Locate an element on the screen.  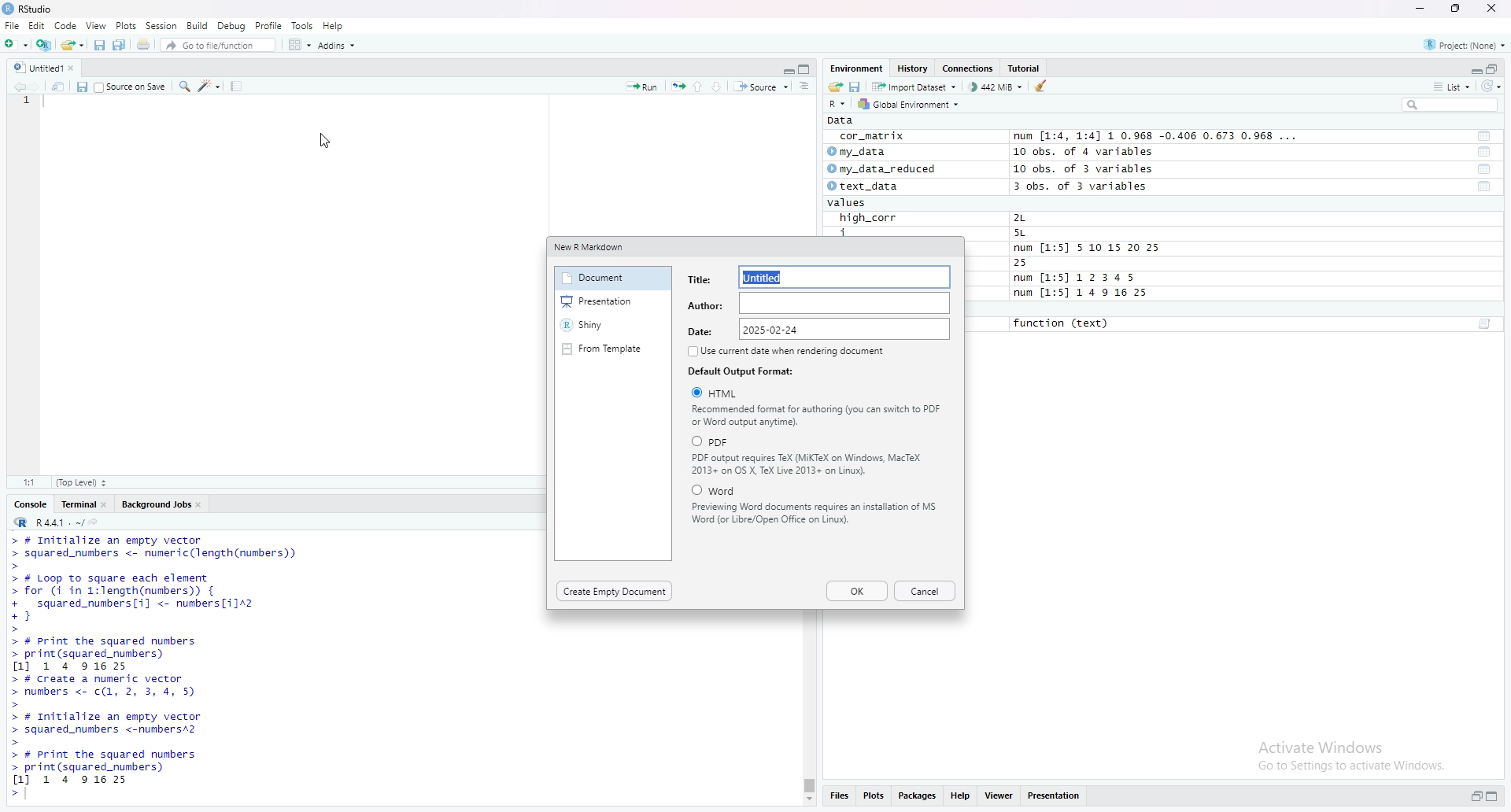
Document outline is located at coordinates (806, 87).